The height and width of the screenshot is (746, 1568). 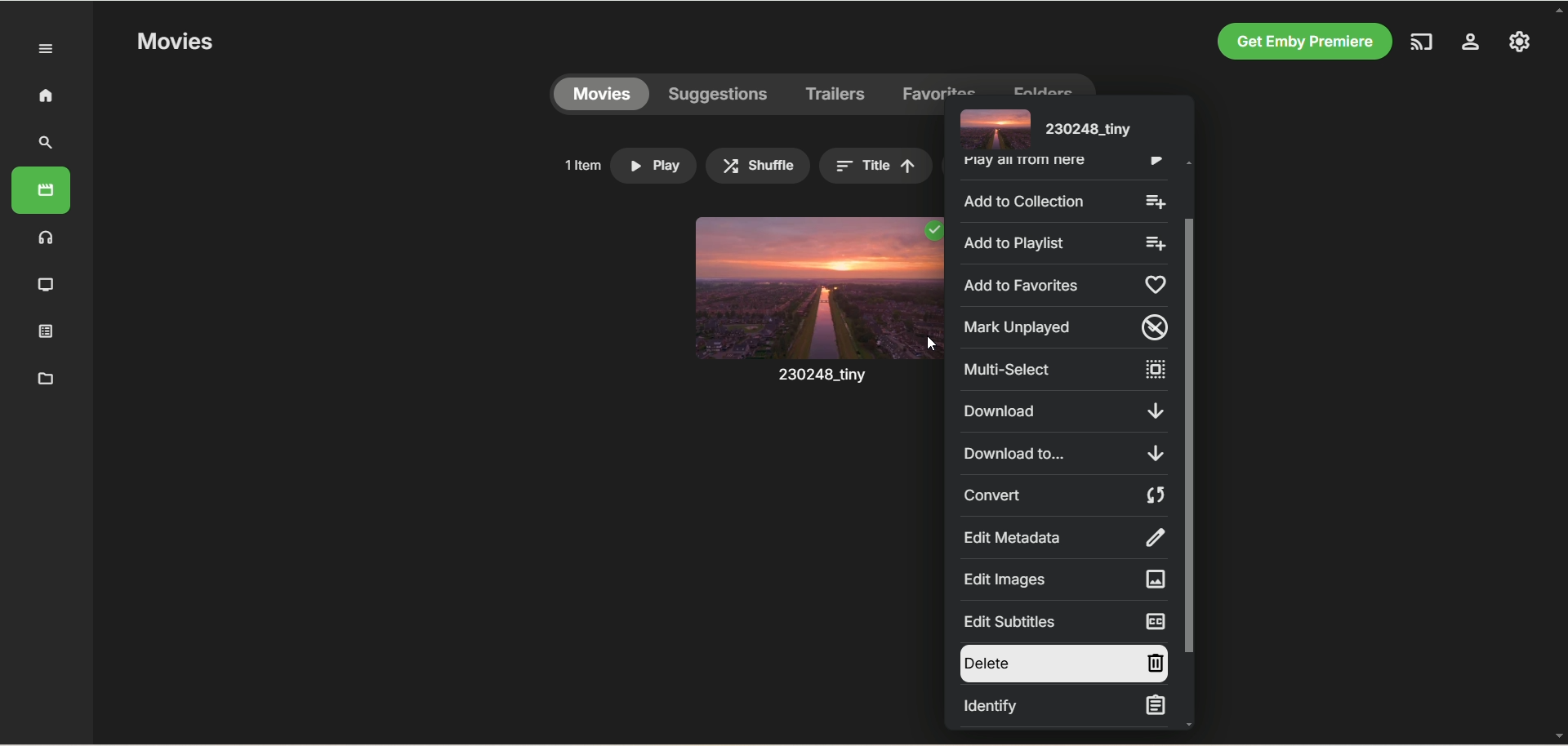 What do you see at coordinates (1062, 537) in the screenshot?
I see `edit metadata` at bounding box center [1062, 537].